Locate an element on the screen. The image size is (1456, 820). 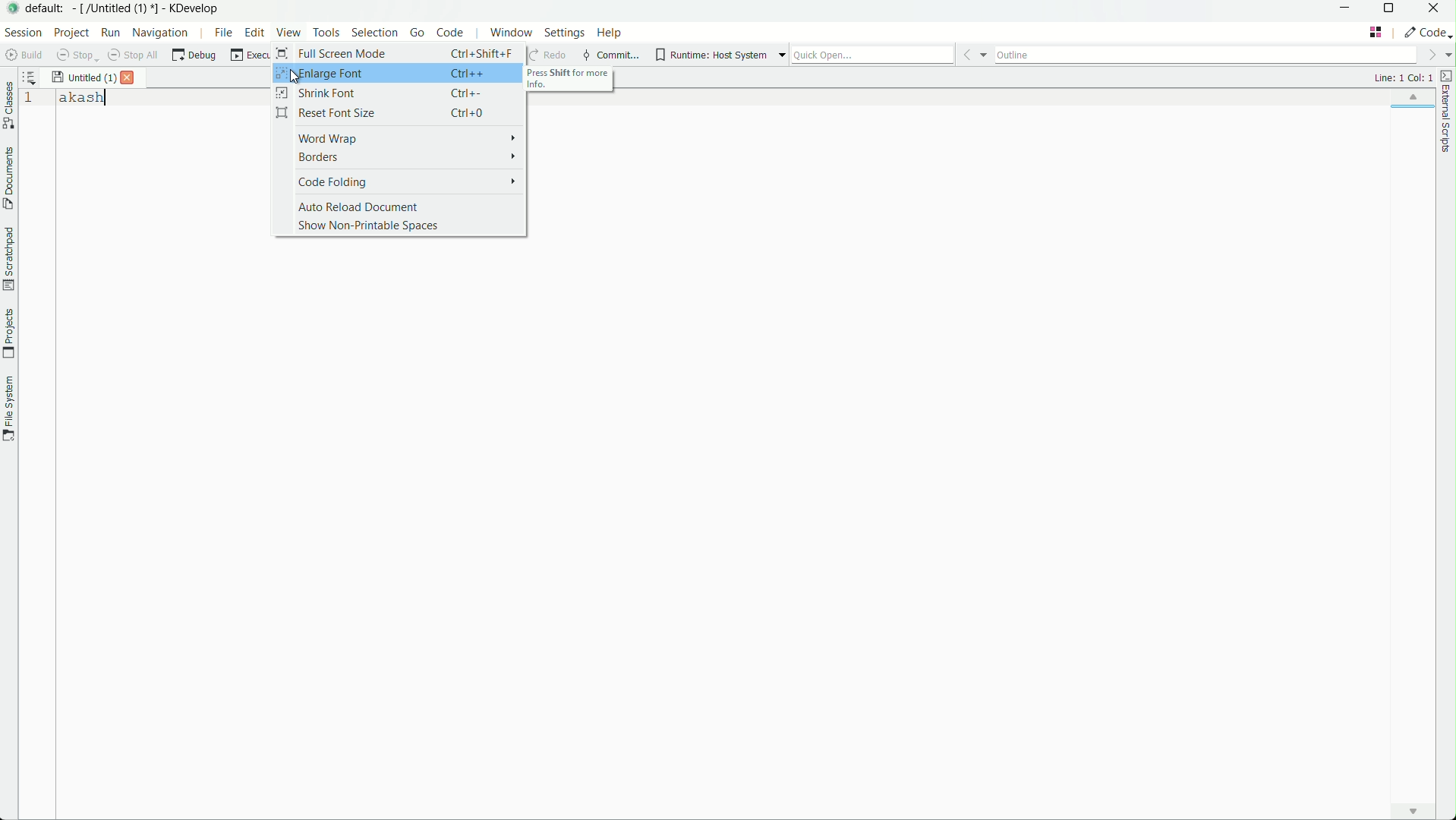
[/untitled] is located at coordinates (116, 9).